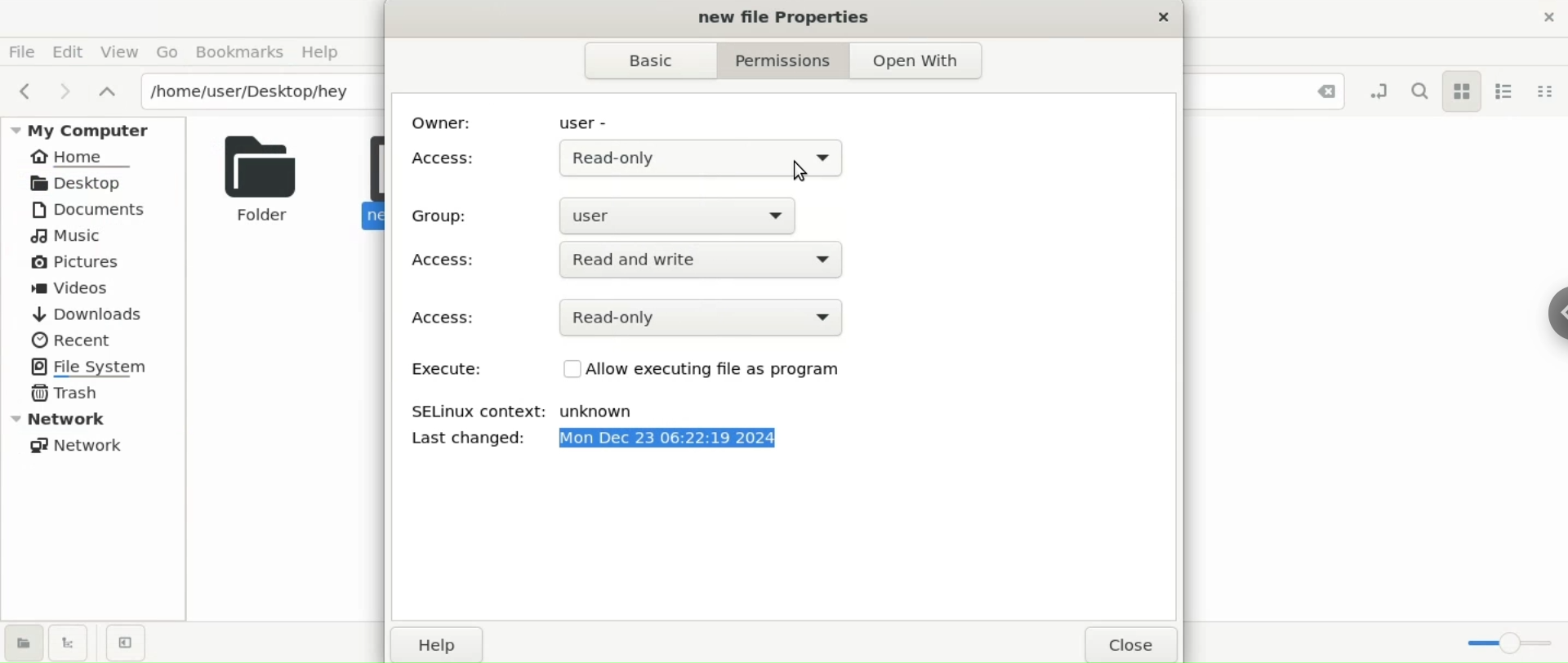  I want to click on lis view, so click(1512, 89).